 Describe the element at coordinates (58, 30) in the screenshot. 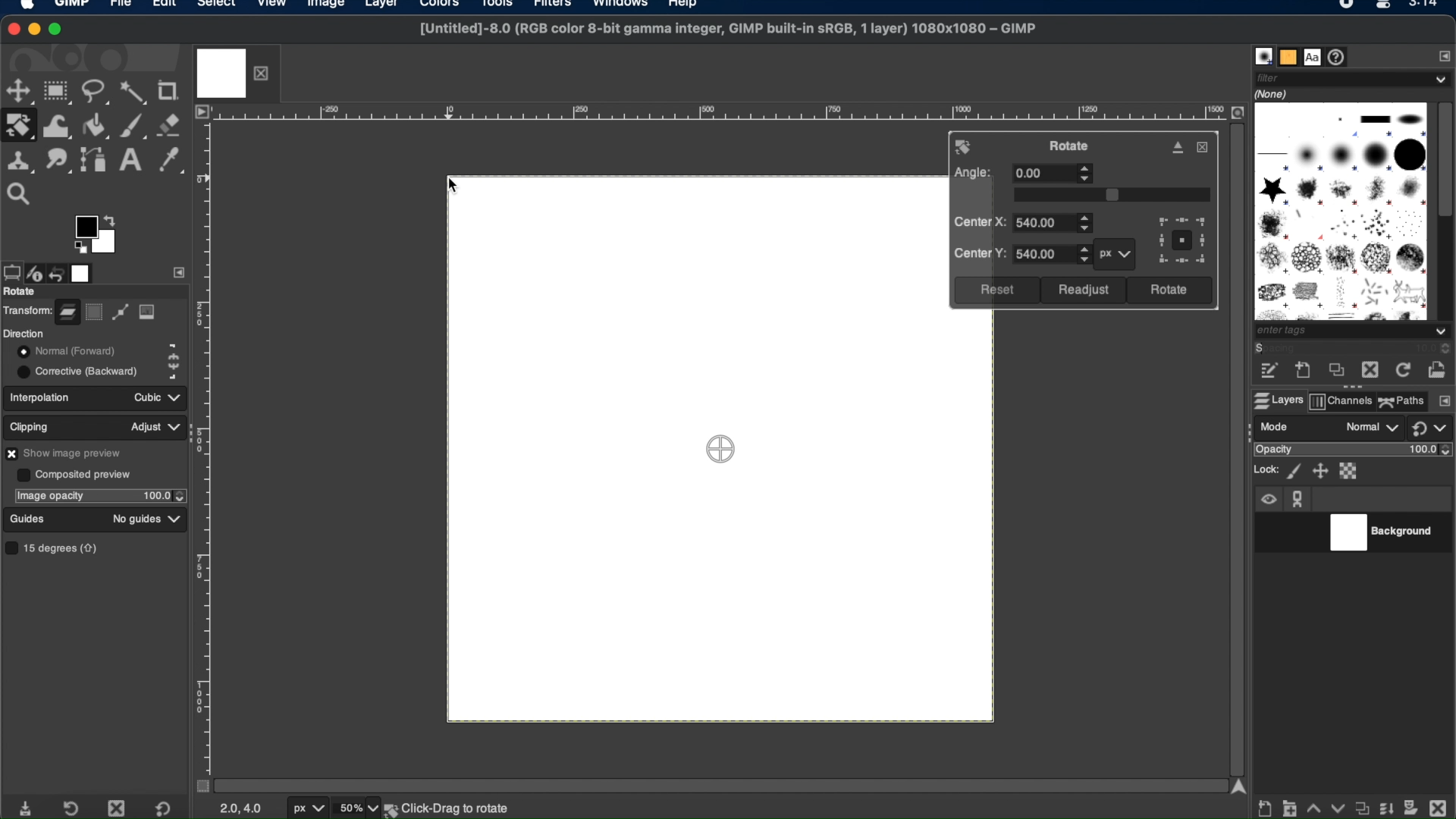

I see `maximize` at that location.